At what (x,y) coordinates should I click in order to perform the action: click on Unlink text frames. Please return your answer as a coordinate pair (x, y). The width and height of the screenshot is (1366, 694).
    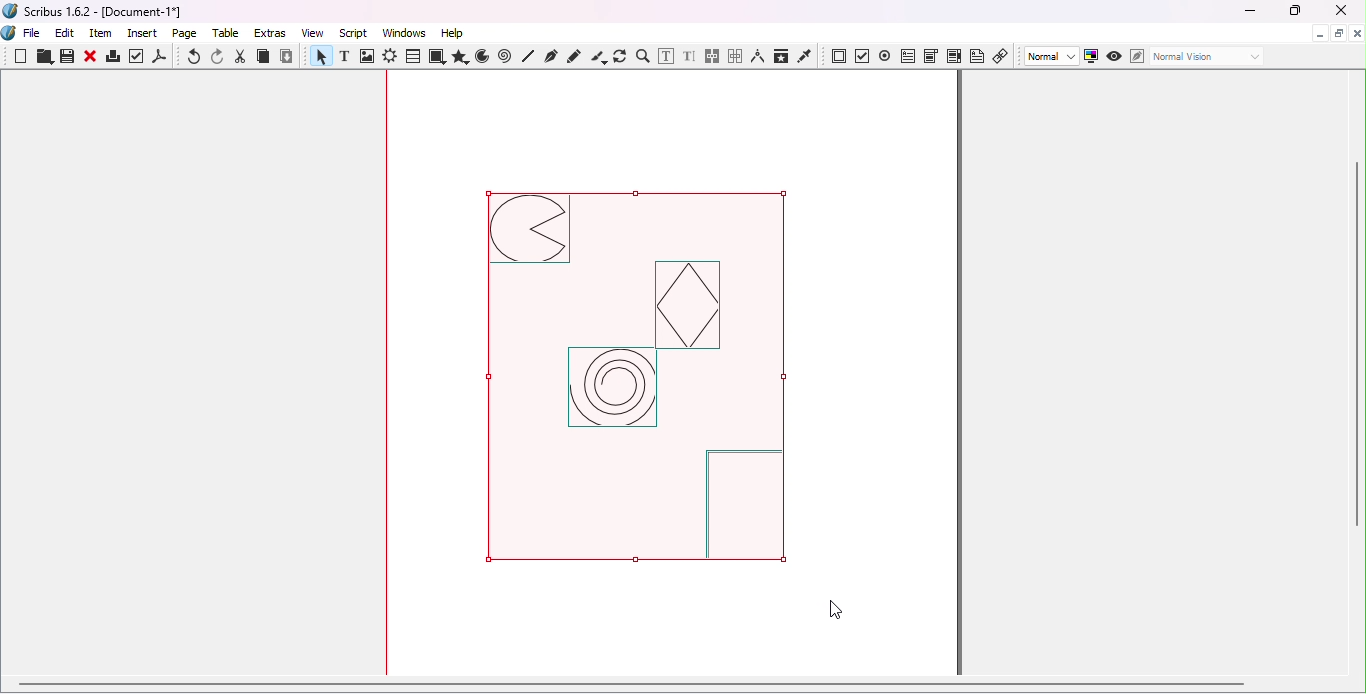
    Looking at the image, I should click on (735, 56).